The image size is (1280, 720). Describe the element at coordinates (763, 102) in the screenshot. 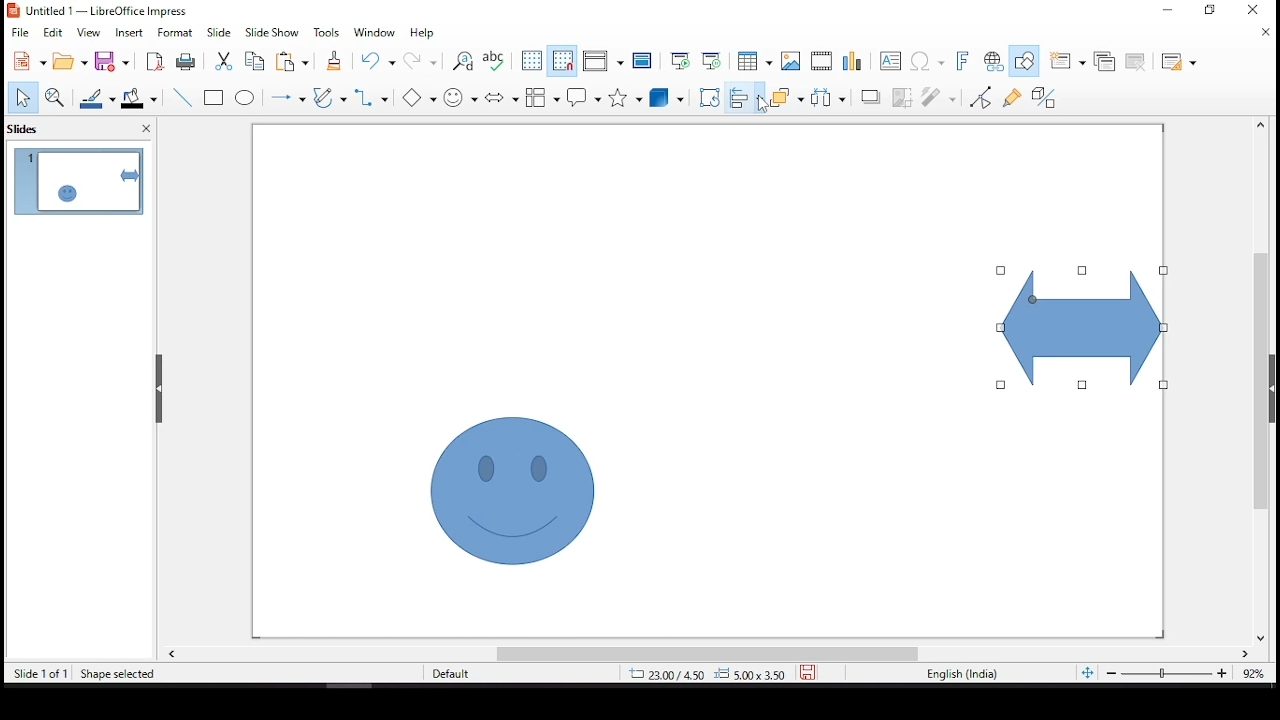

I see `mouse pointer` at that location.